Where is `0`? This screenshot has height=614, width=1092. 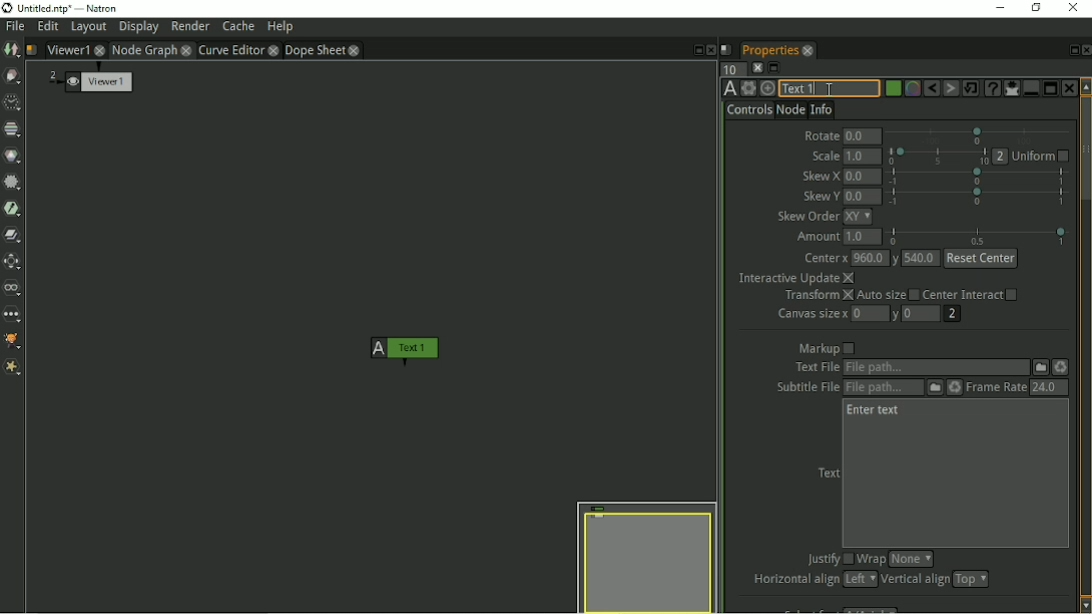
0 is located at coordinates (919, 313).